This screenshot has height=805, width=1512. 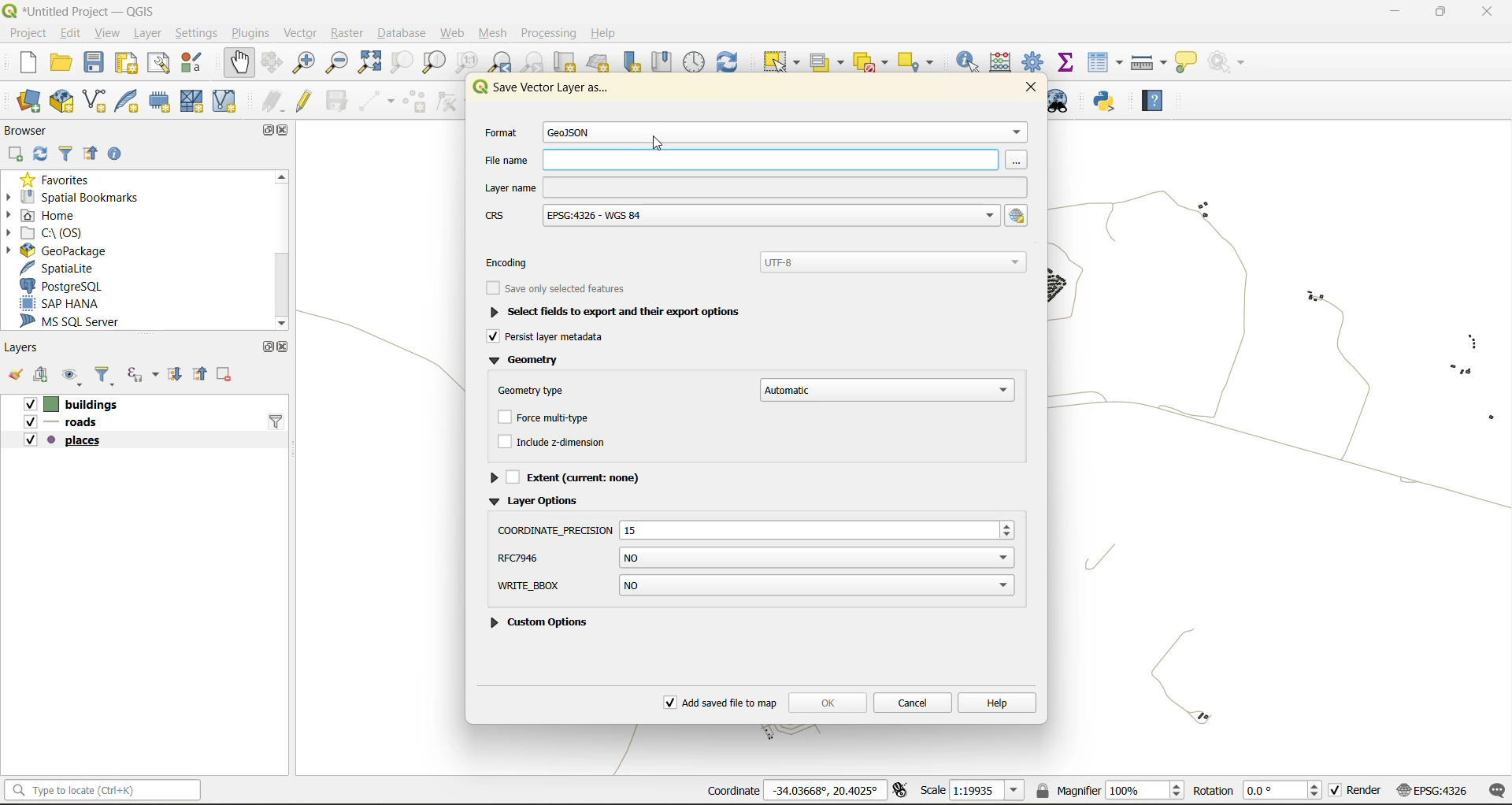 I want to click on close, so click(x=283, y=349).